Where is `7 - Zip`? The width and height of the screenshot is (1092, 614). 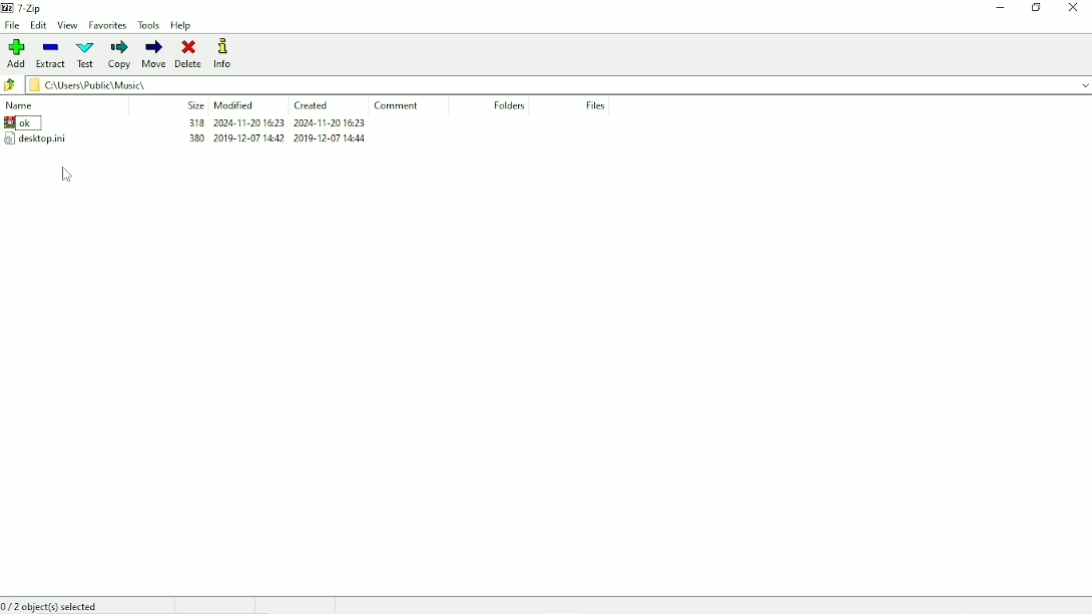 7 - Zip is located at coordinates (25, 7).